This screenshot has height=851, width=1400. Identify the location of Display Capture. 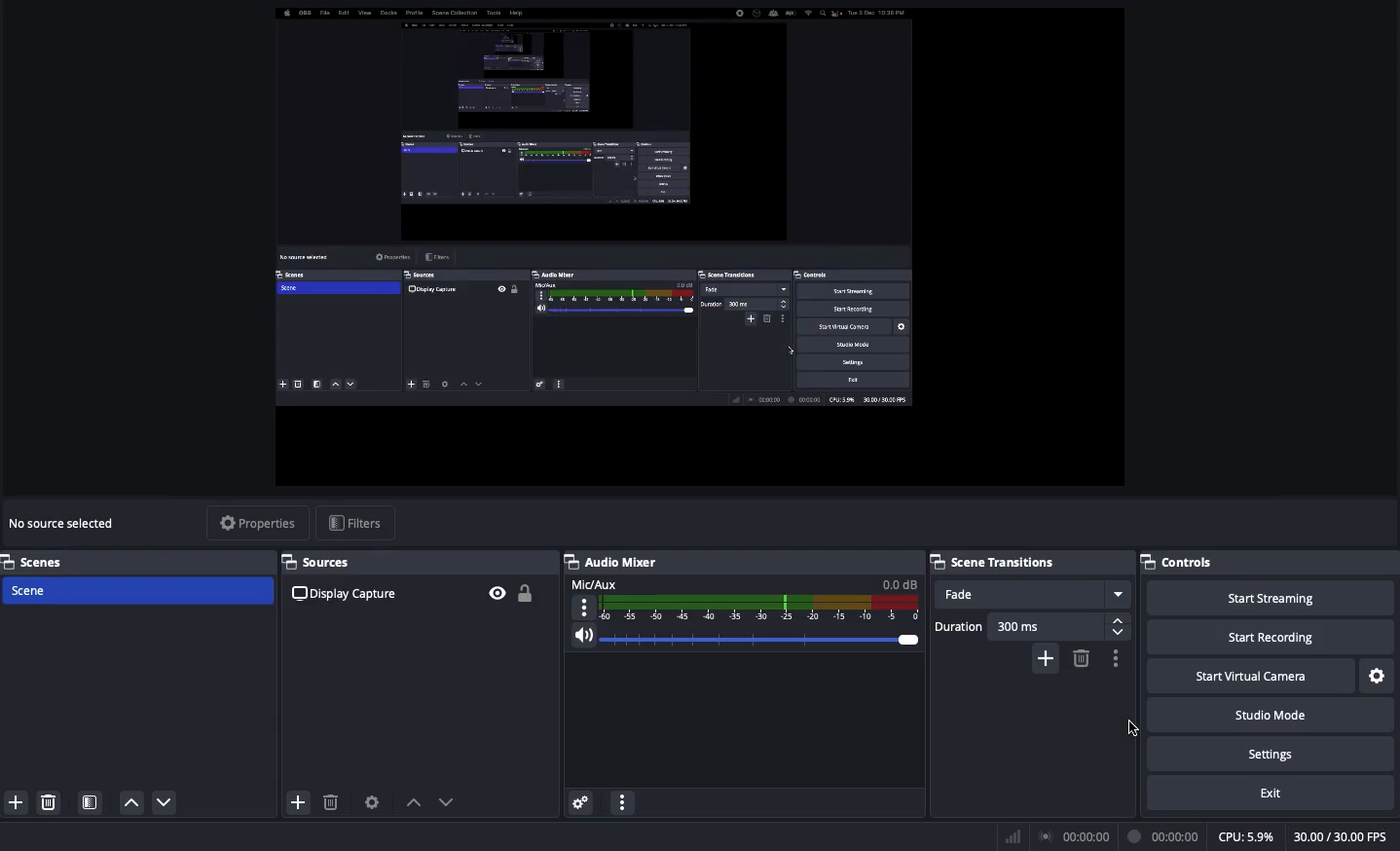
(424, 599).